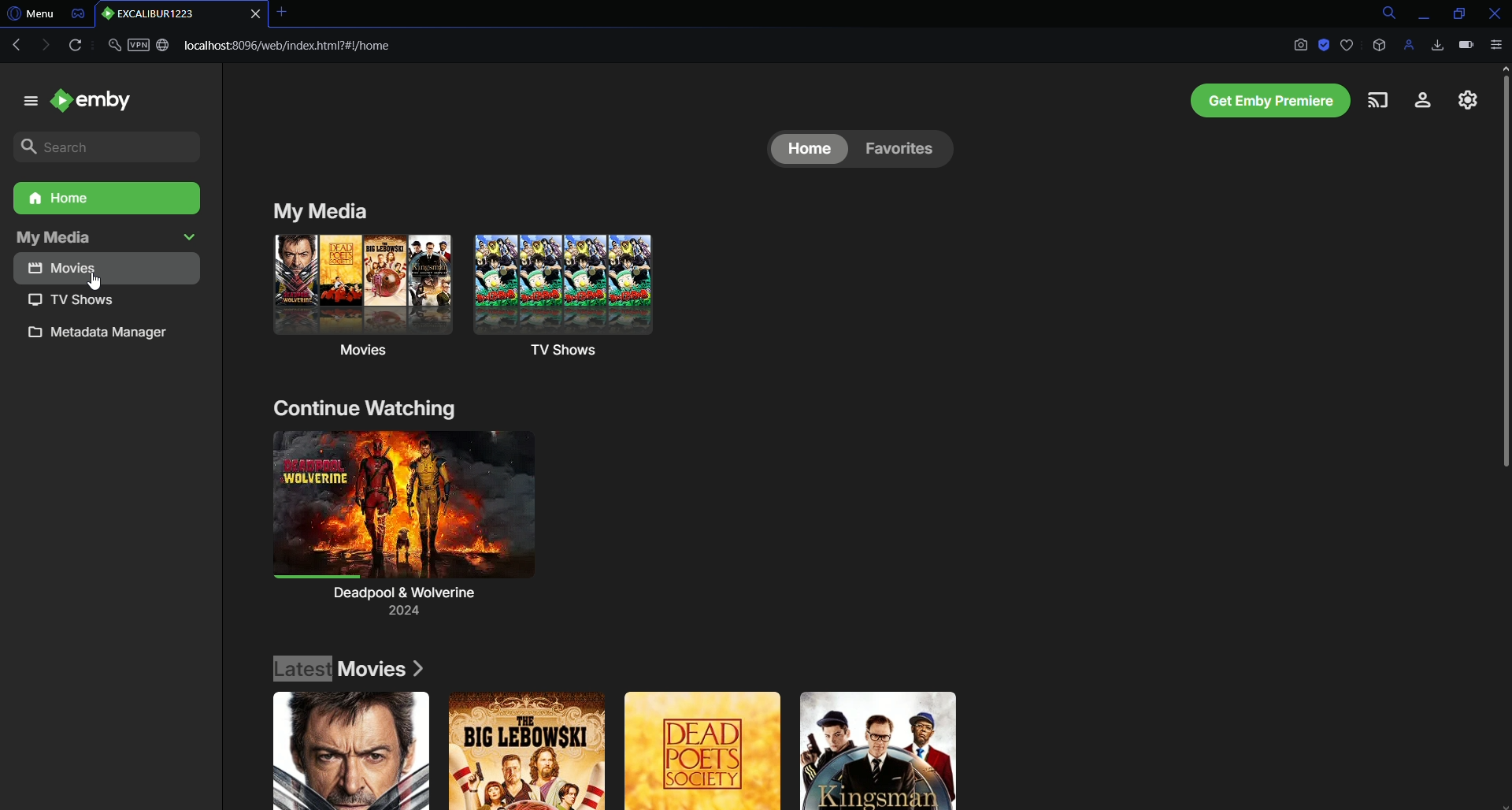  I want to click on Screenshot, so click(1299, 46).